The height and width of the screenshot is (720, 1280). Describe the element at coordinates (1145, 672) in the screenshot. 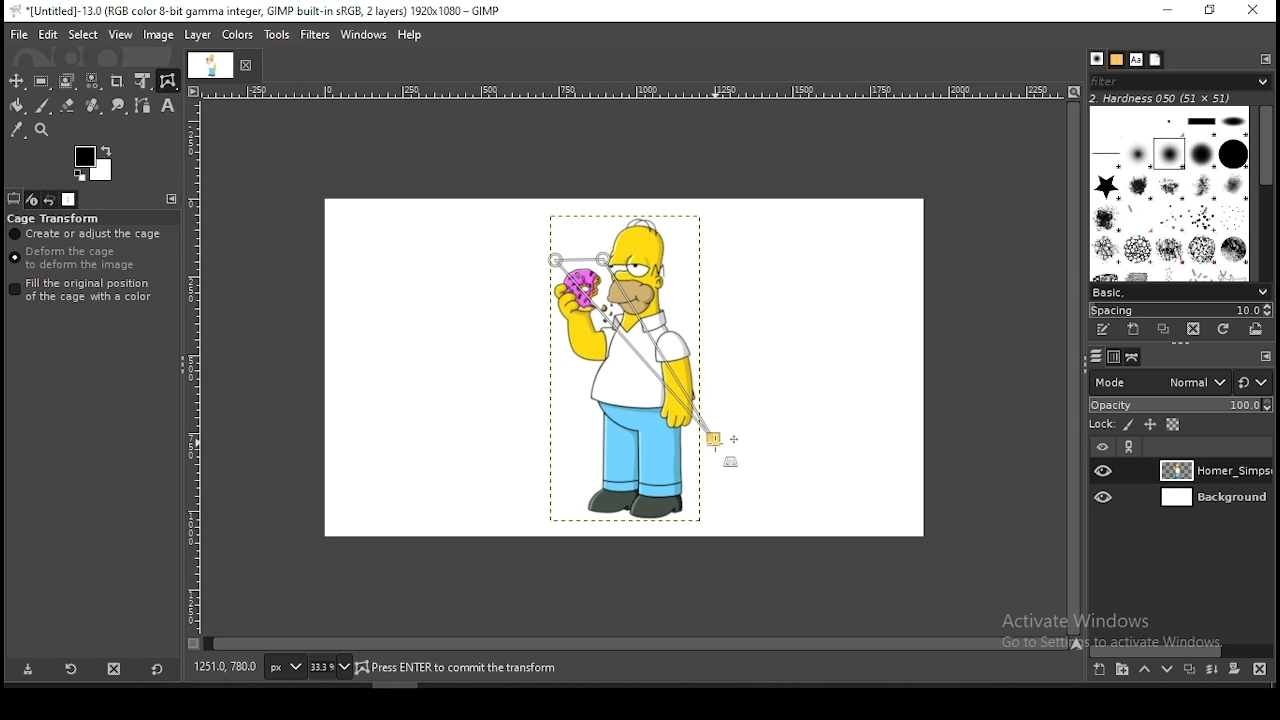

I see `move layer one step up` at that location.